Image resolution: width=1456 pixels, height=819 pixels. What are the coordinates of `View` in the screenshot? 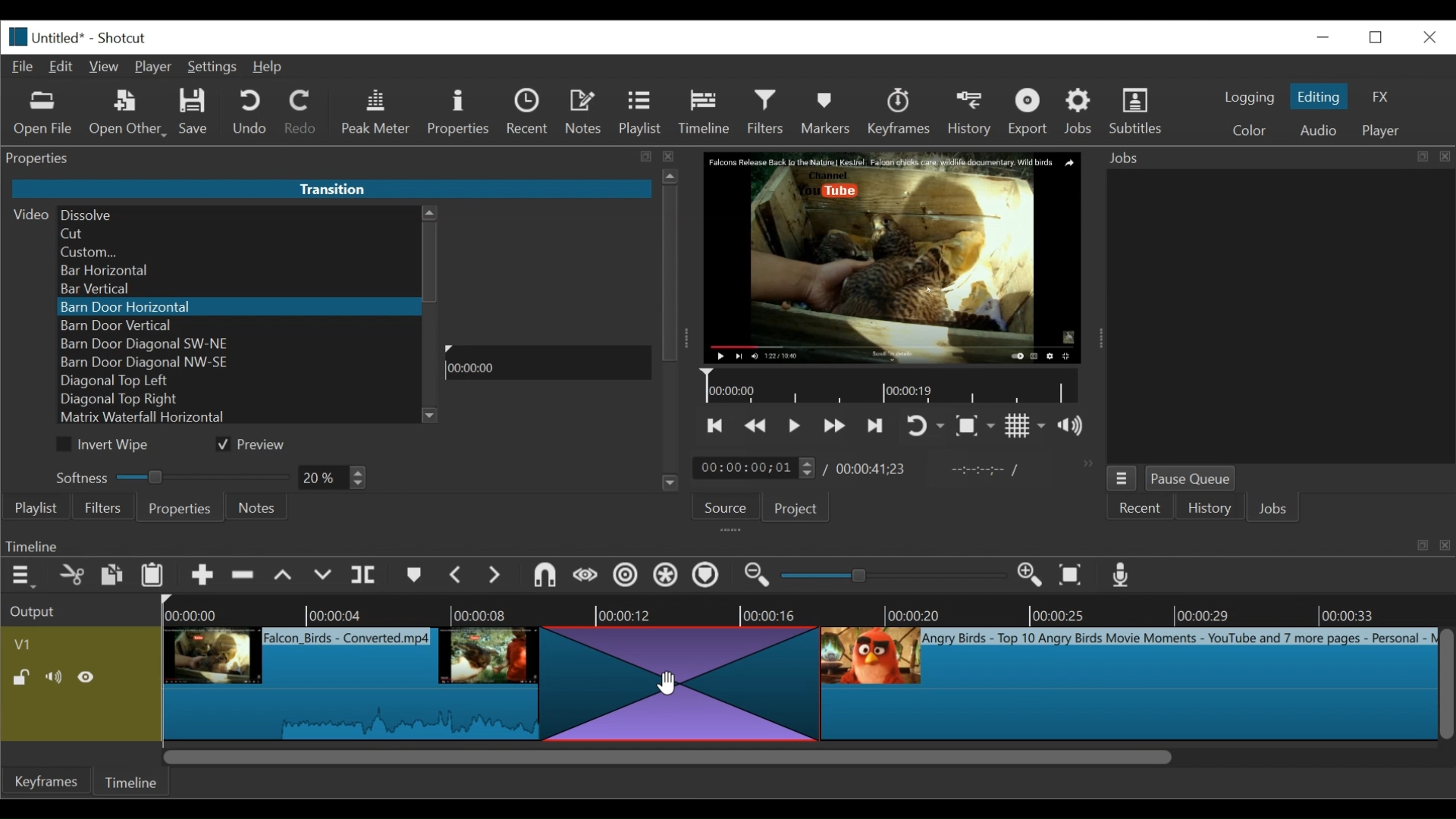 It's located at (105, 66).